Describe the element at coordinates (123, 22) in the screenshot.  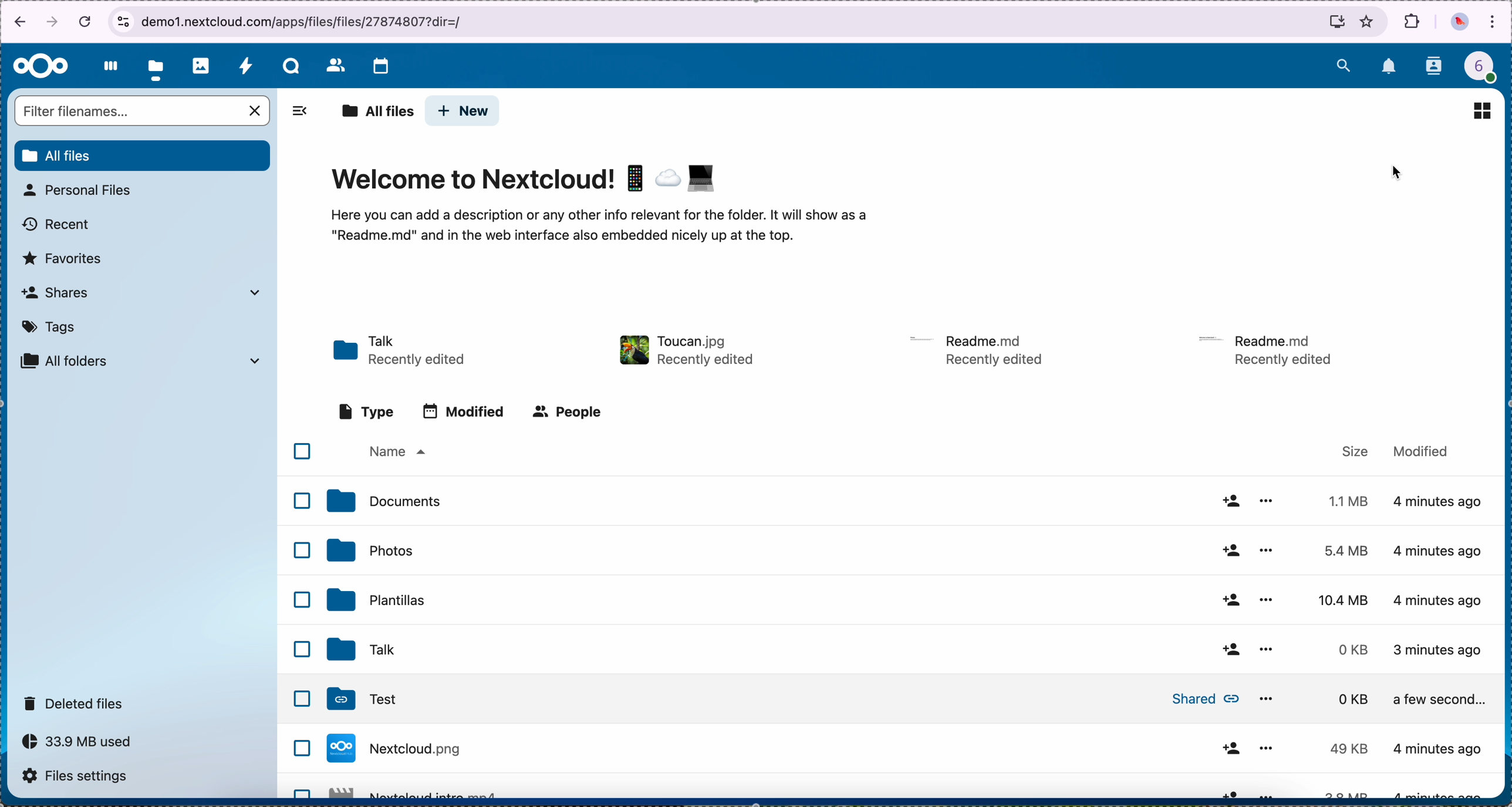
I see `view site information` at that location.